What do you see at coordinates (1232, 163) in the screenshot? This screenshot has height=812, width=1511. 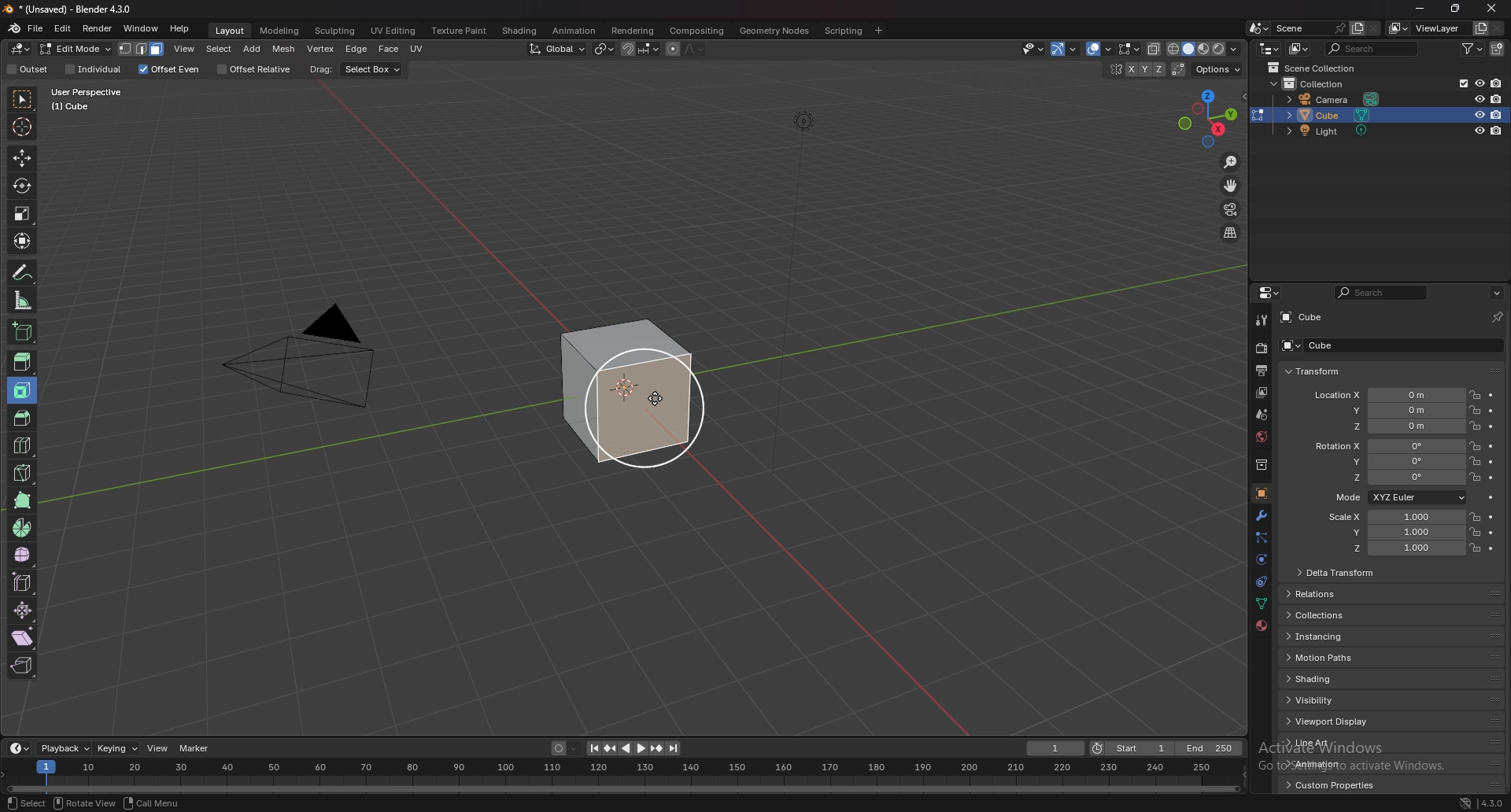 I see `zoom` at bounding box center [1232, 163].